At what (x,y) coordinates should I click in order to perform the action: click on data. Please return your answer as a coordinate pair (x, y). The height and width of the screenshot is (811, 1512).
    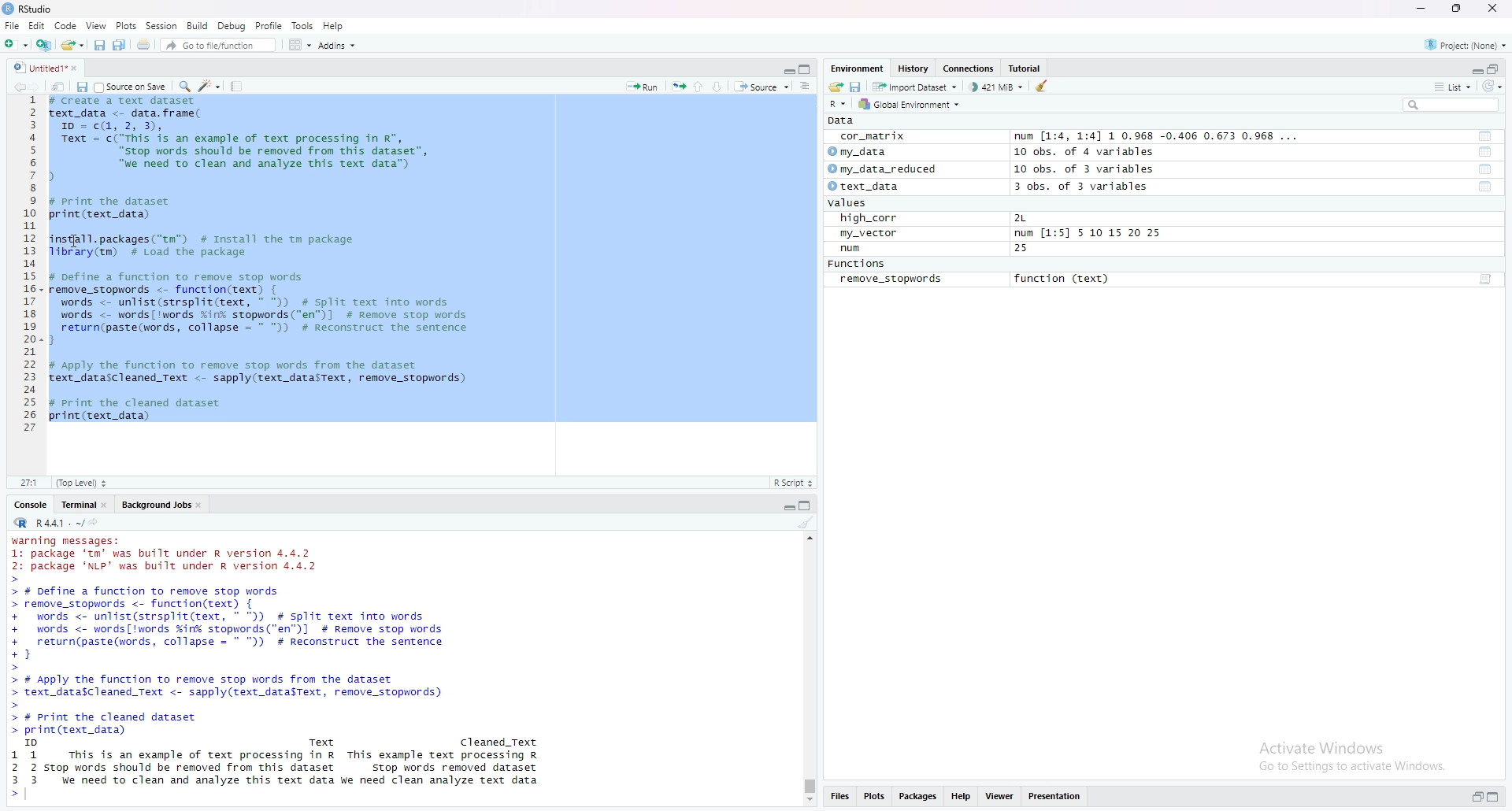
    Looking at the image, I should click on (842, 121).